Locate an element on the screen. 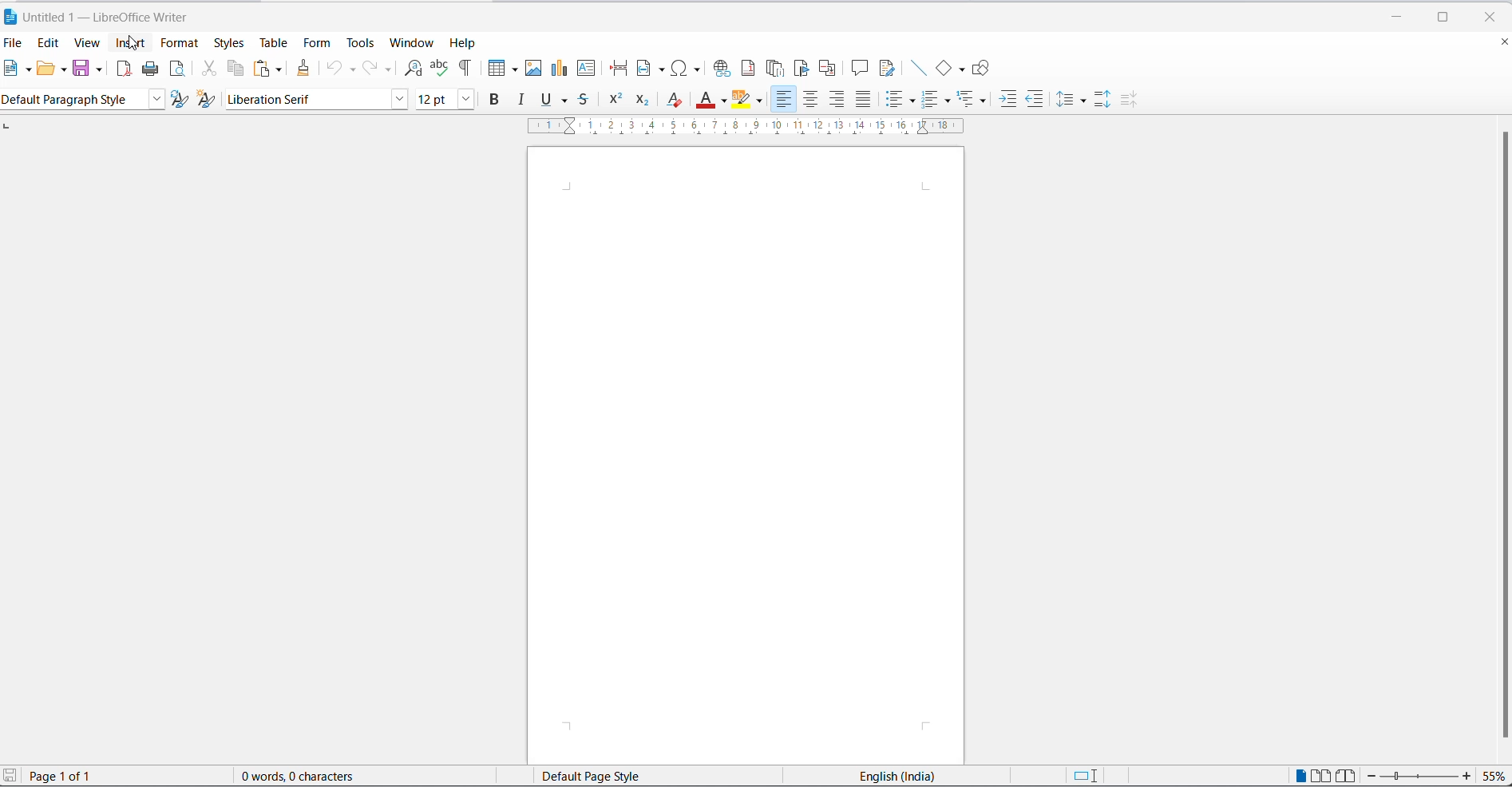  multi page view is located at coordinates (1320, 777).